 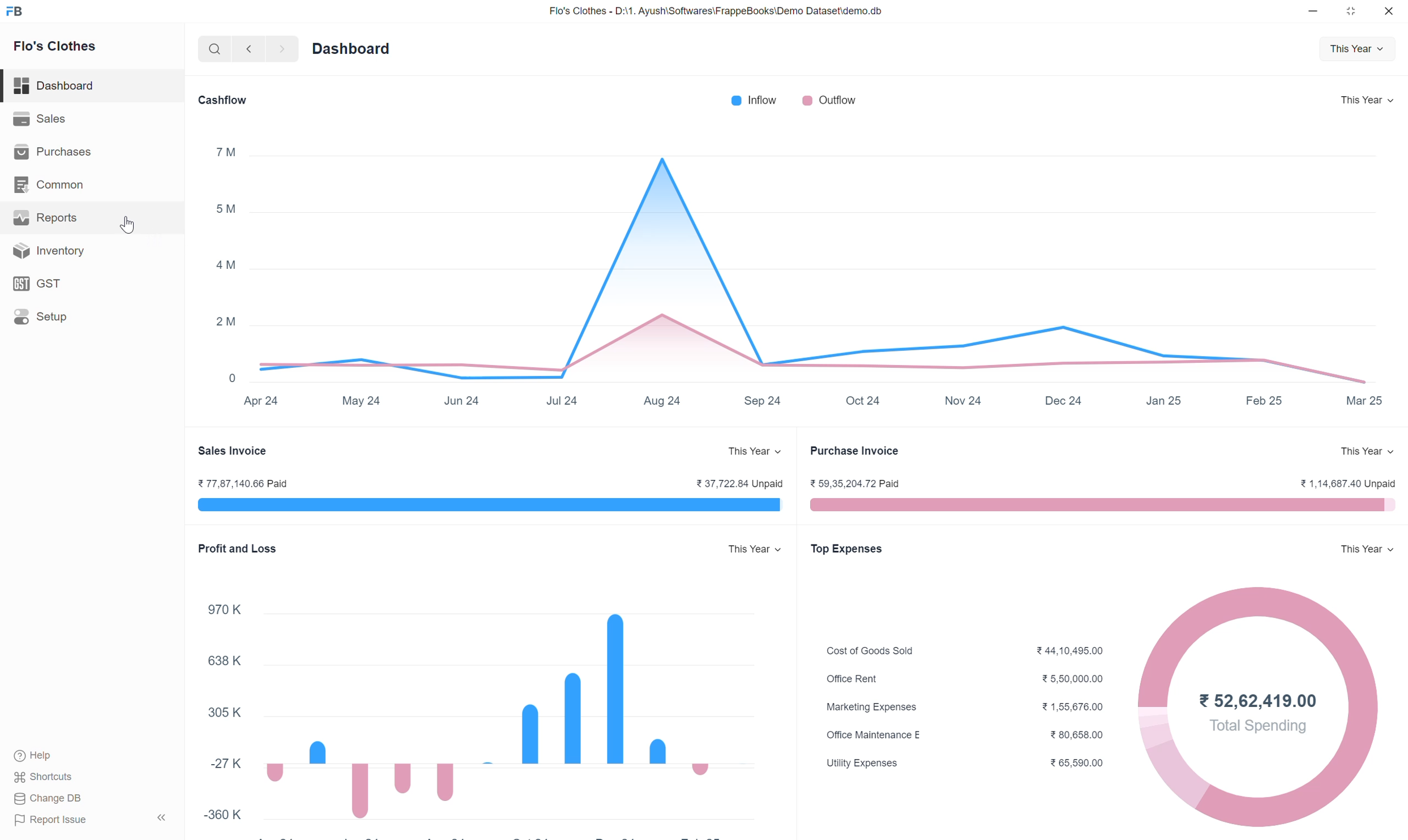 I want to click on %77,87,140.66 Paid, so click(x=238, y=483).